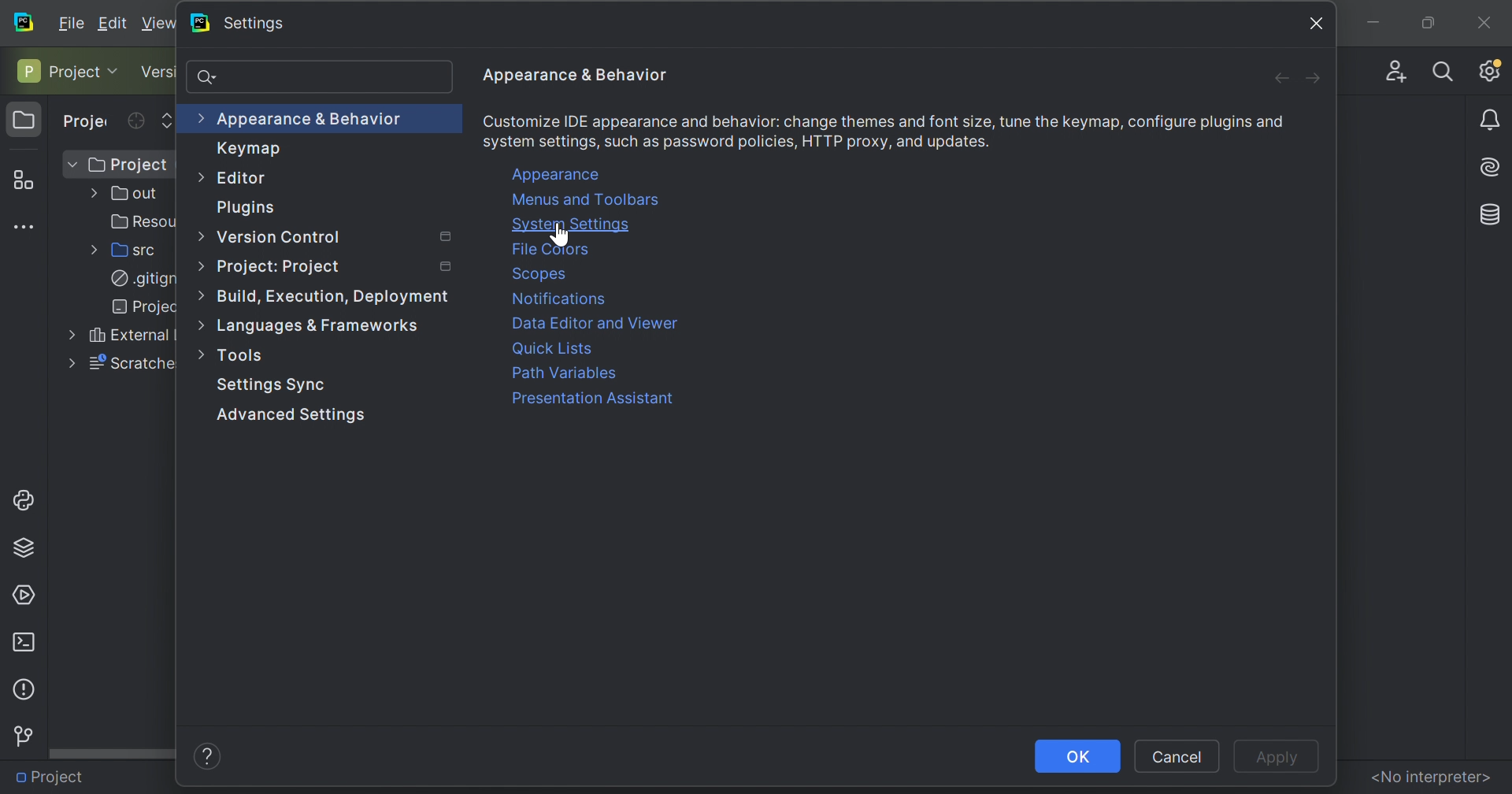 The width and height of the screenshot is (1512, 794). What do you see at coordinates (138, 279) in the screenshot?
I see `.gitignore` at bounding box center [138, 279].